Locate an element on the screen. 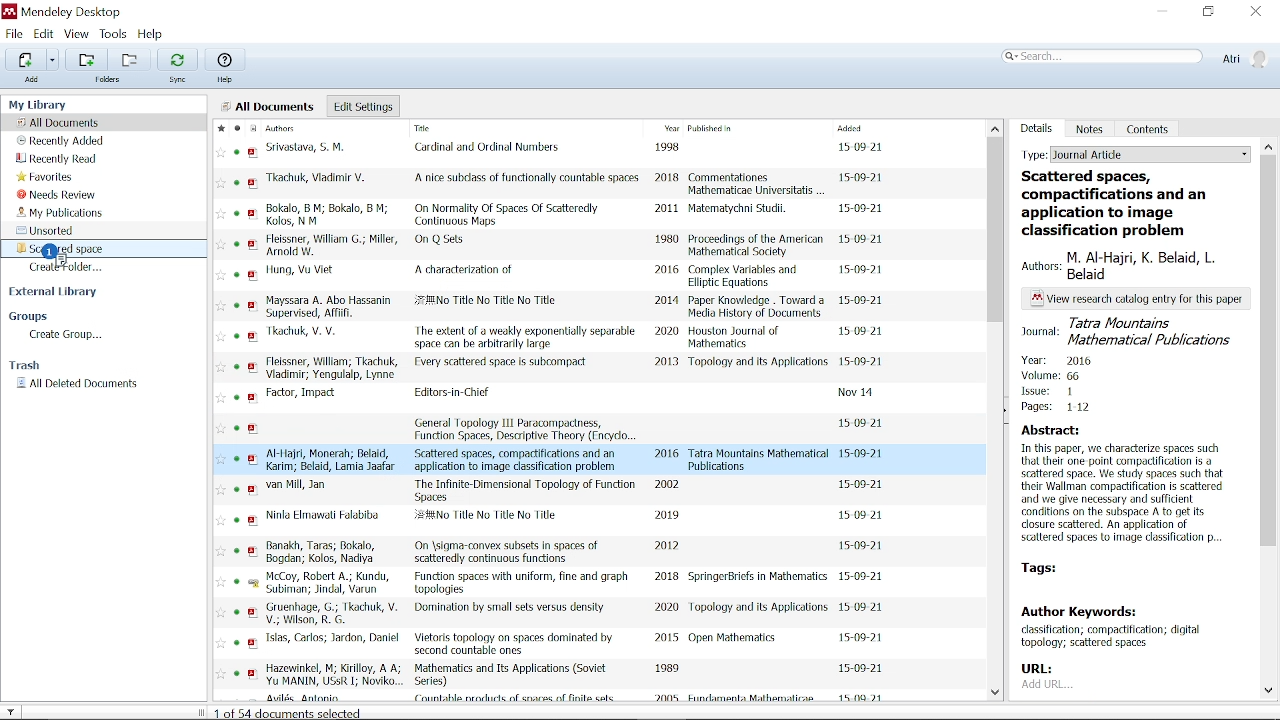 Image resolution: width=1280 pixels, height=720 pixels. title is located at coordinates (509, 213).